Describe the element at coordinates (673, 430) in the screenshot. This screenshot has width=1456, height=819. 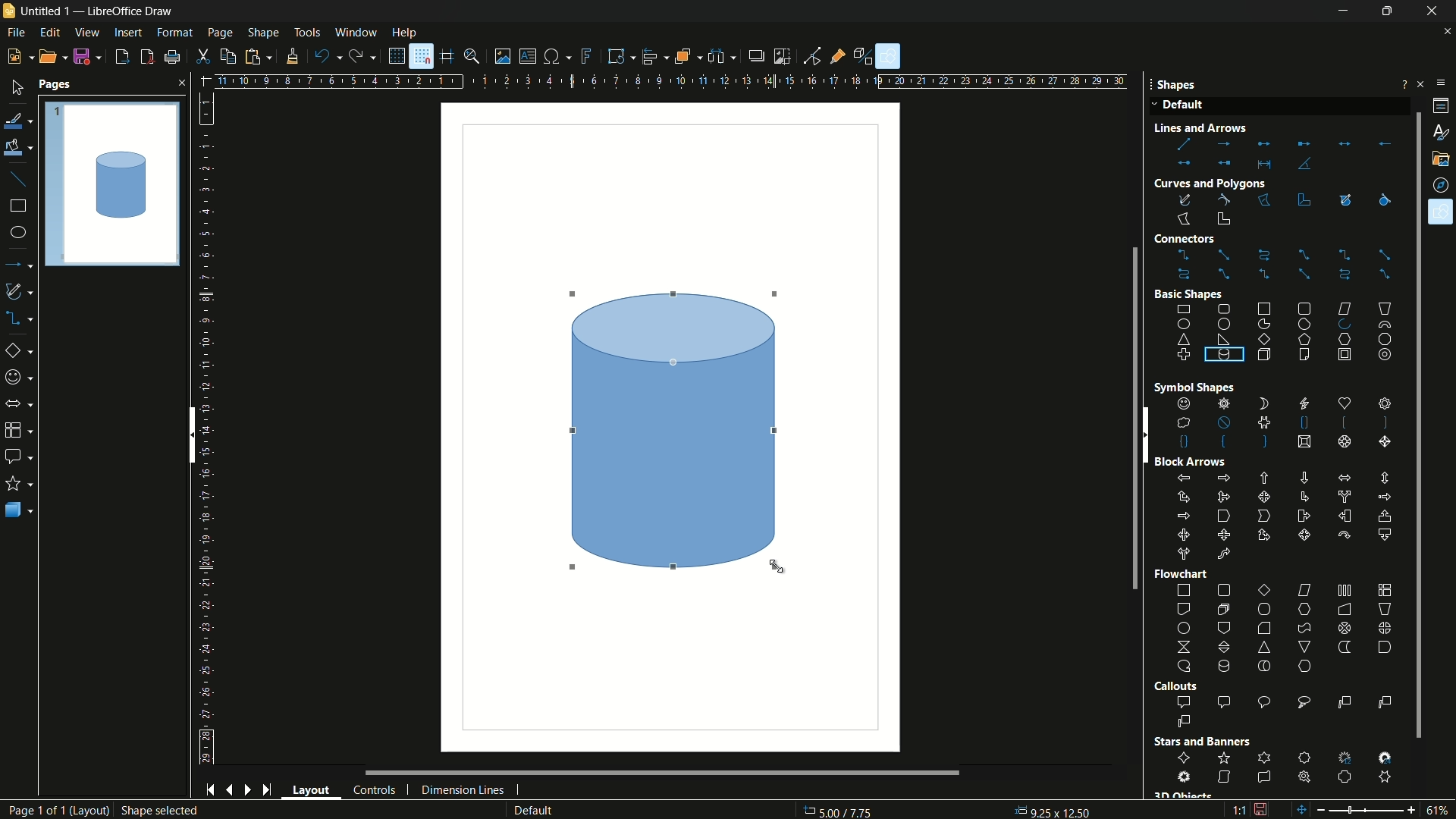
I see `cylinder` at that location.